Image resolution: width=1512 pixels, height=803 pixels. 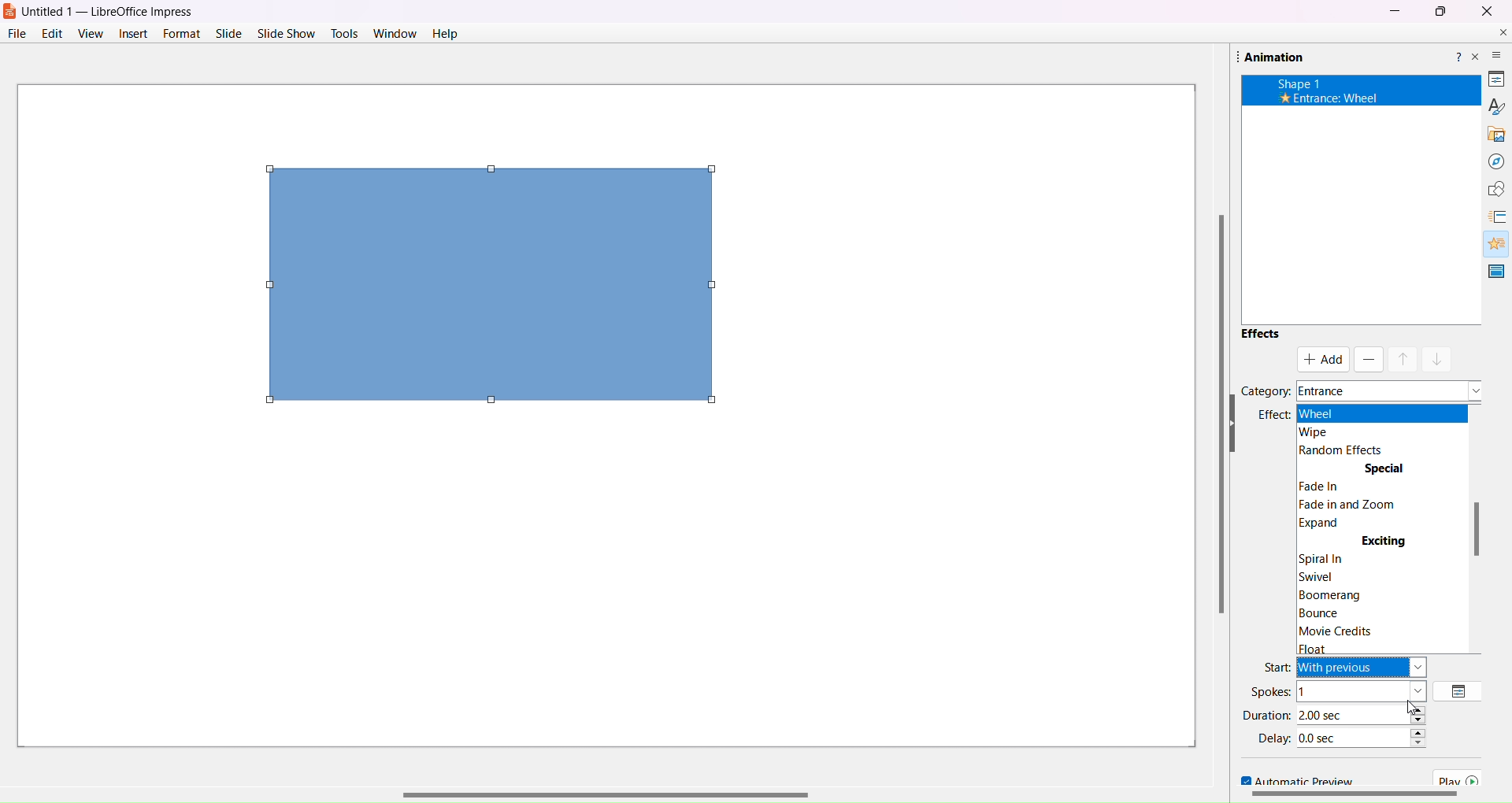 What do you see at coordinates (1266, 390) in the screenshot?
I see `Category` at bounding box center [1266, 390].